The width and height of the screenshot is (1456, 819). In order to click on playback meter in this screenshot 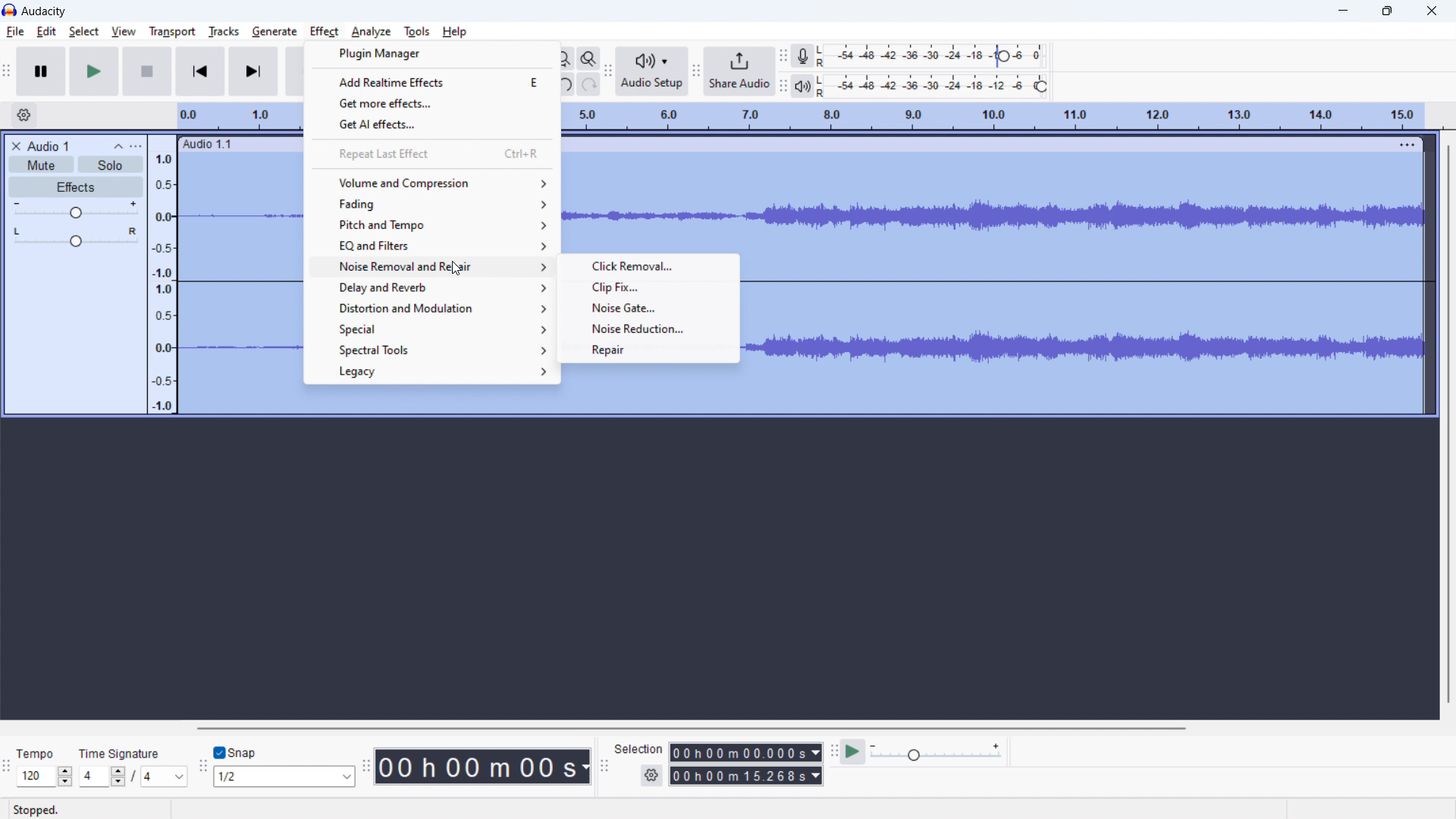, I will do `click(937, 752)`.